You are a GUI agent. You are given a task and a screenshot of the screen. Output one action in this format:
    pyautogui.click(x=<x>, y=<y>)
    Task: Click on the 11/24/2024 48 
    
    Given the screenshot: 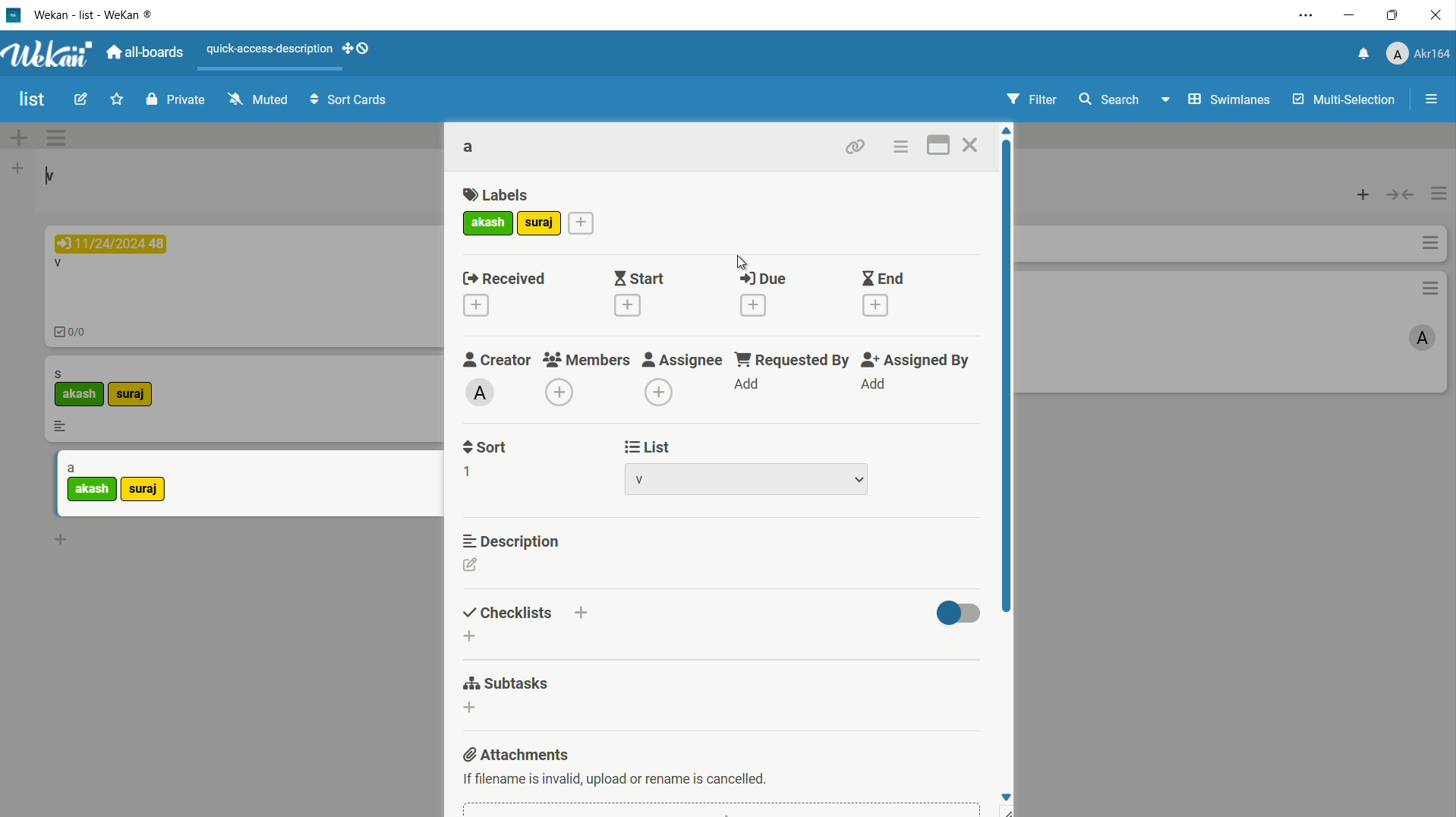 What is the action you would take?
    pyautogui.click(x=117, y=241)
    